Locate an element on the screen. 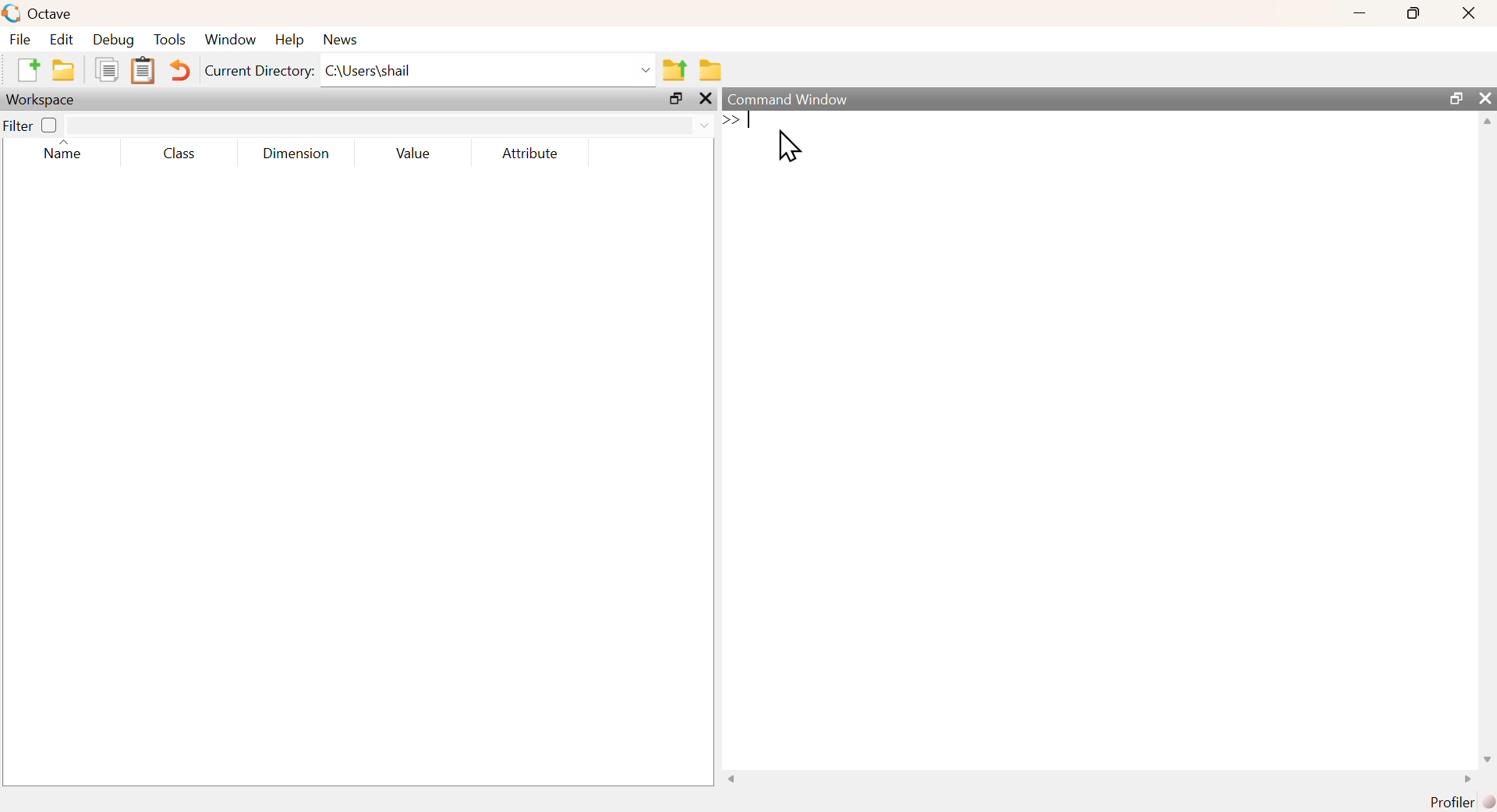 The height and width of the screenshot is (812, 1497). One directory up is located at coordinates (675, 66).